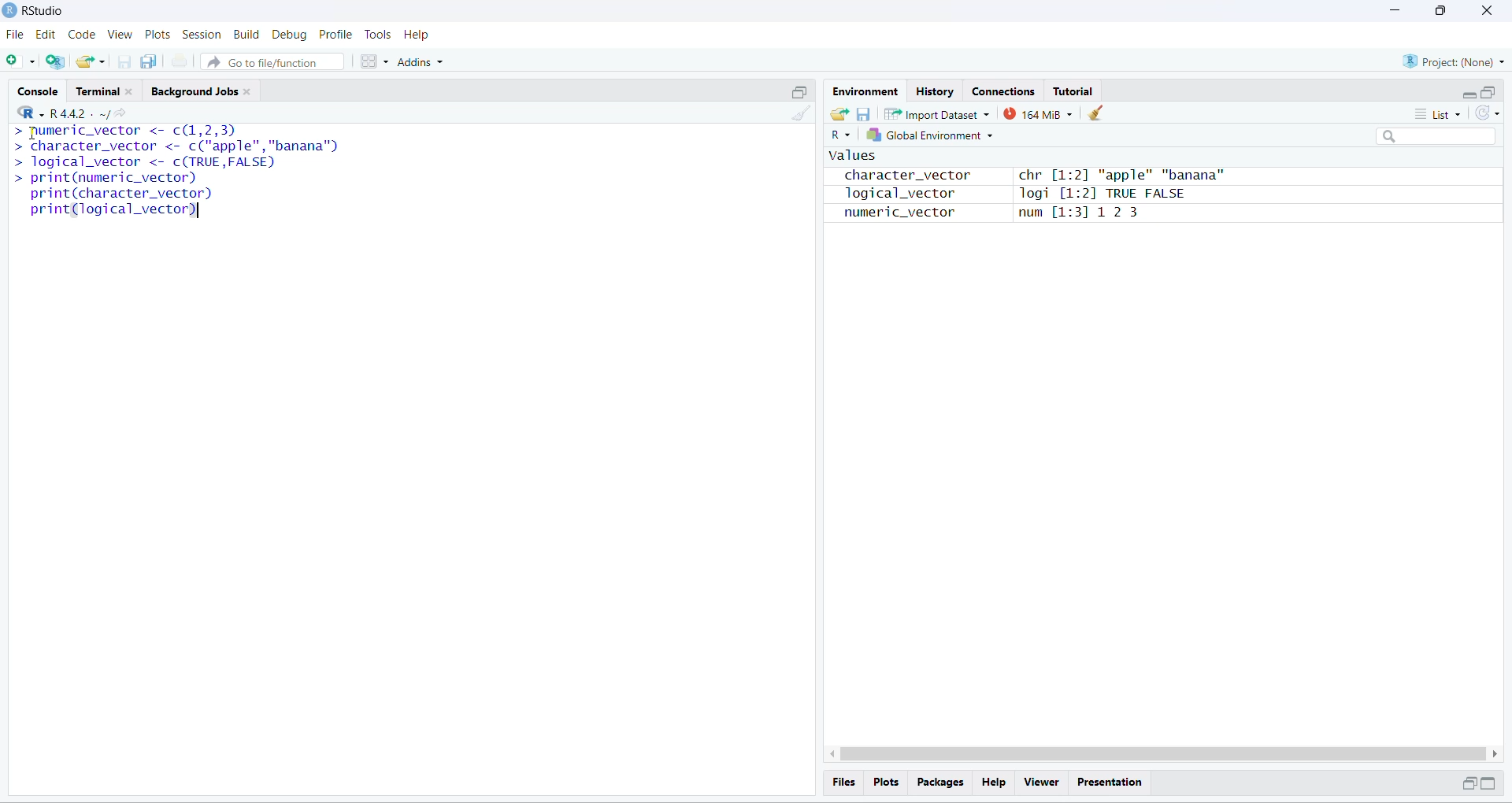 This screenshot has height=803, width=1512. What do you see at coordinates (31, 133) in the screenshot?
I see `cursor` at bounding box center [31, 133].